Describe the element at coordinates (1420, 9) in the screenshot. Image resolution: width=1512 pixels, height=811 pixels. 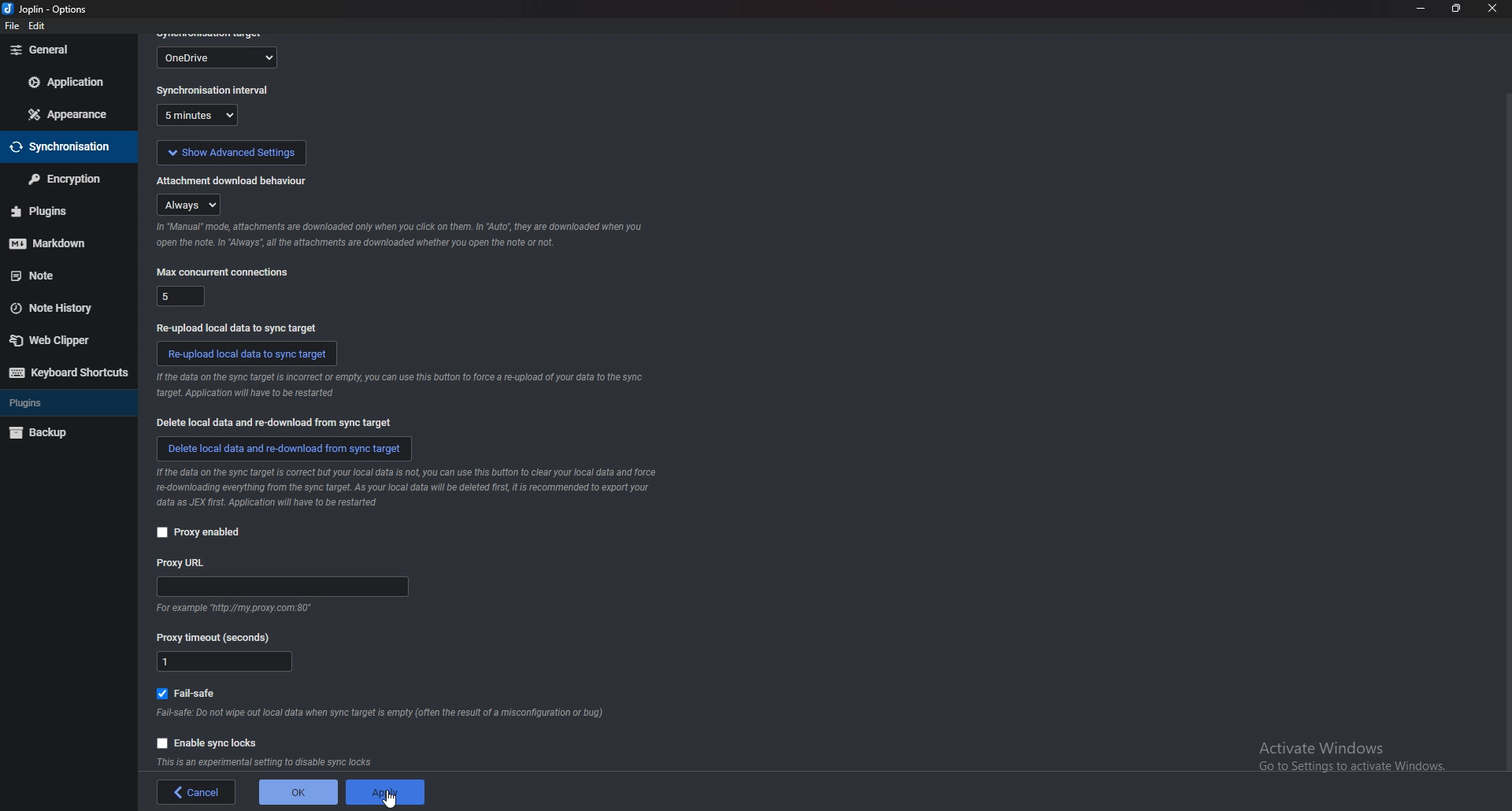
I see `minimize` at that location.